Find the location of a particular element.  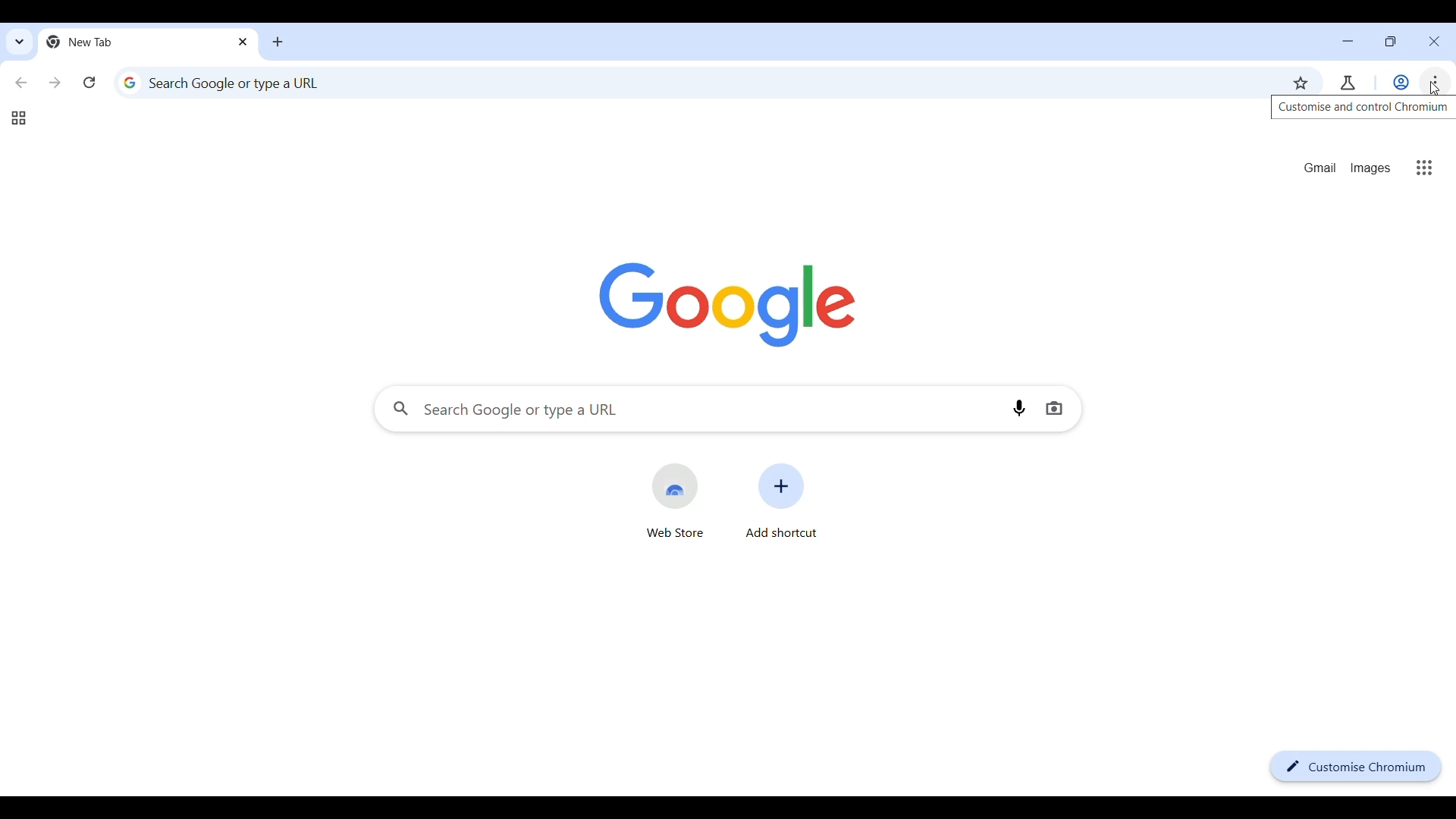

Open a new tab is located at coordinates (278, 42).